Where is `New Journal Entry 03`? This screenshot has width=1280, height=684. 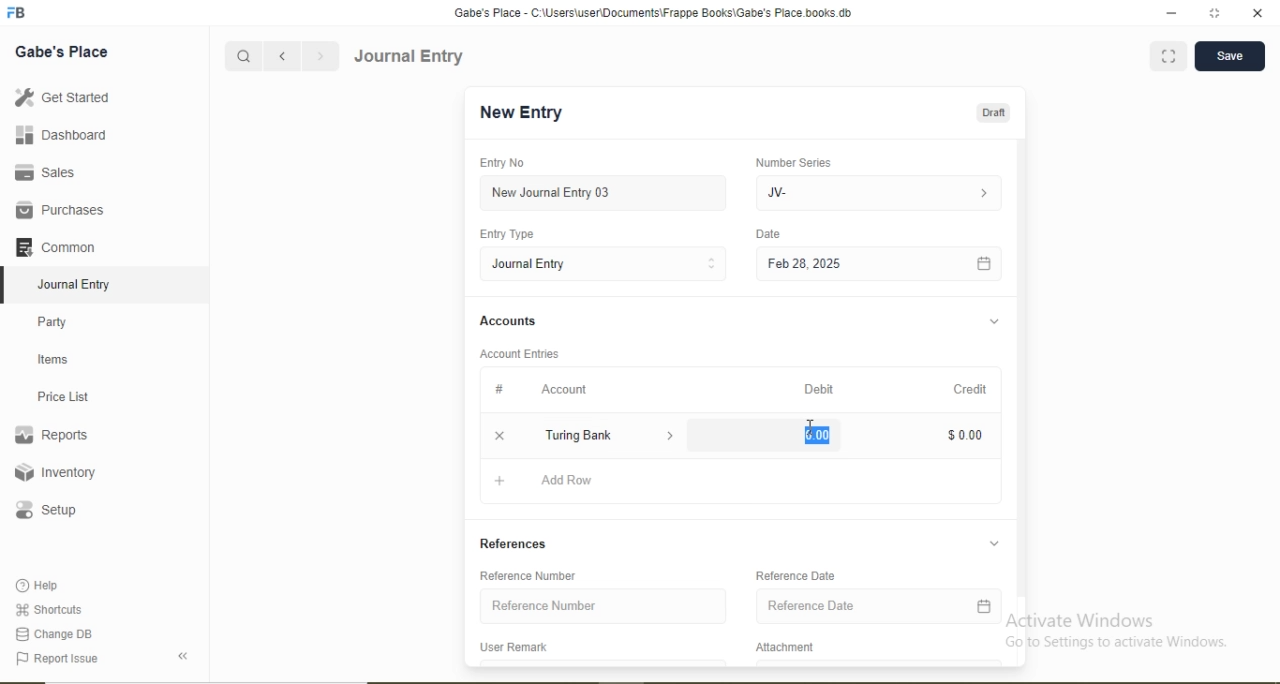
New Journal Entry 03 is located at coordinates (552, 193).